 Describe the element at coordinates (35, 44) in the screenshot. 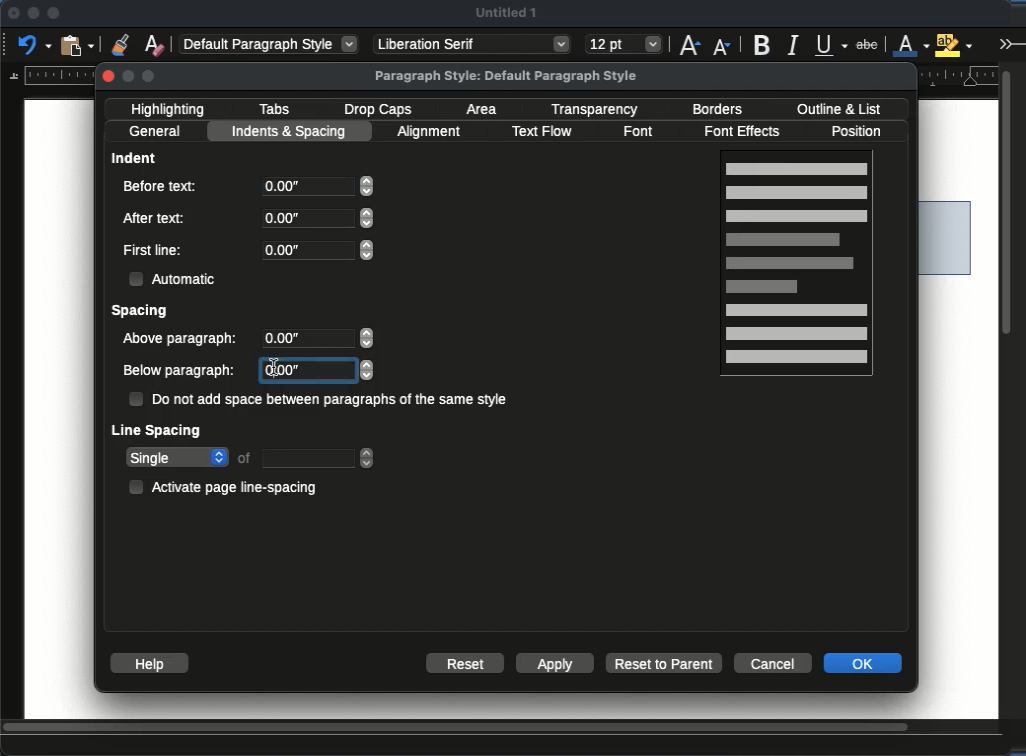

I see `undo` at that location.